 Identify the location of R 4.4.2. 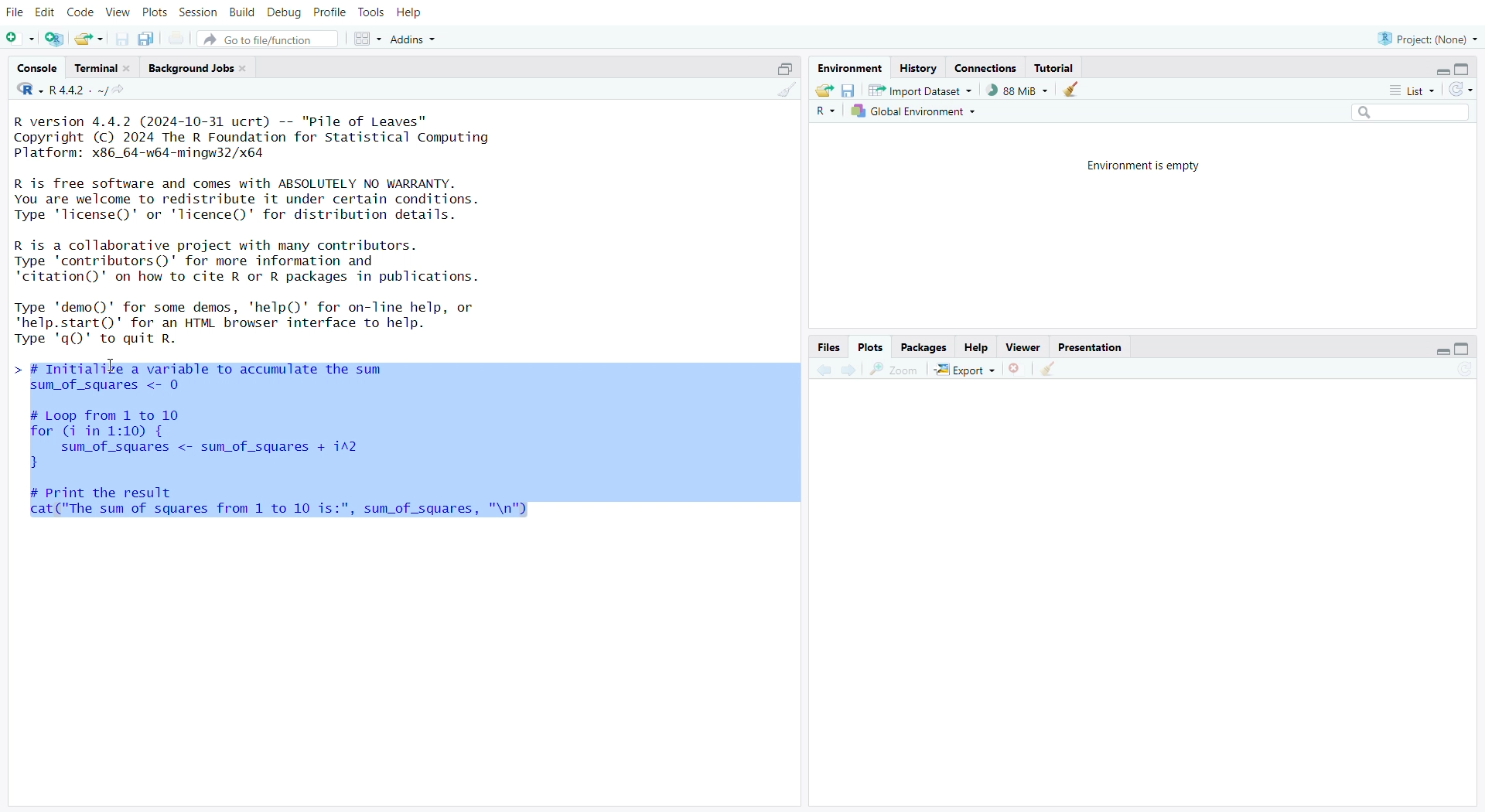
(59, 90).